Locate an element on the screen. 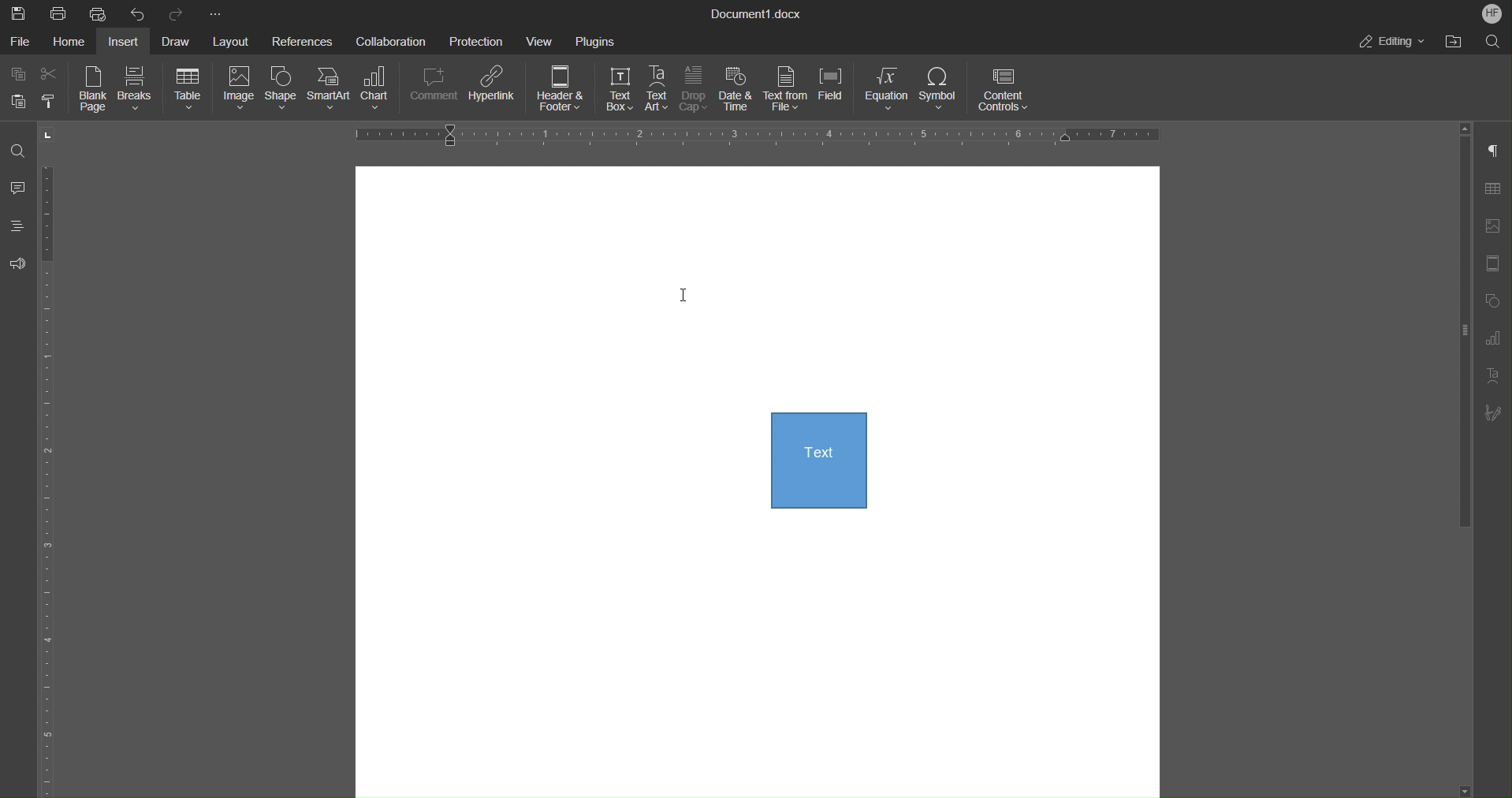 The height and width of the screenshot is (798, 1512). Blank Page is located at coordinates (95, 91).